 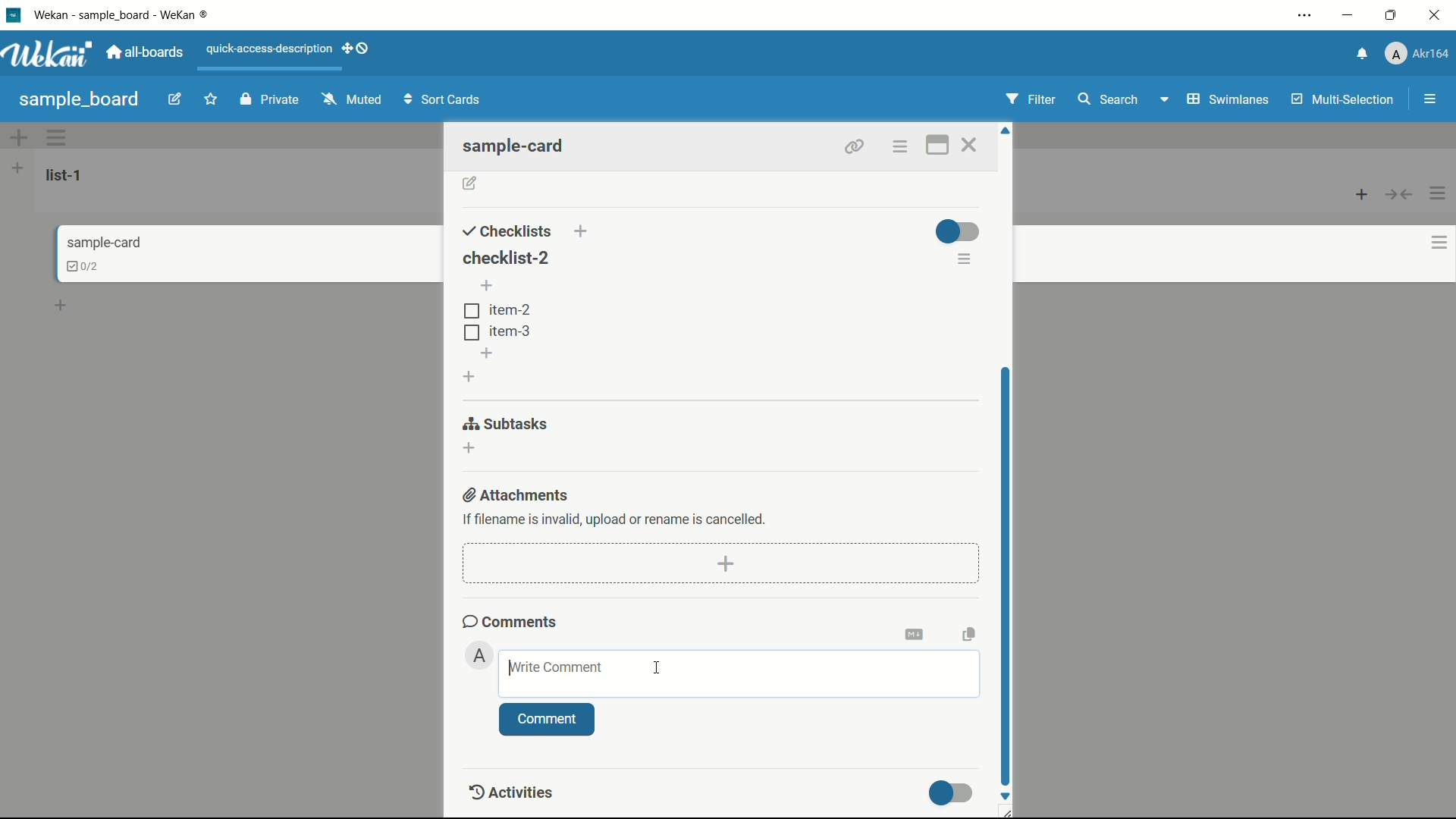 I want to click on add description, so click(x=470, y=184).